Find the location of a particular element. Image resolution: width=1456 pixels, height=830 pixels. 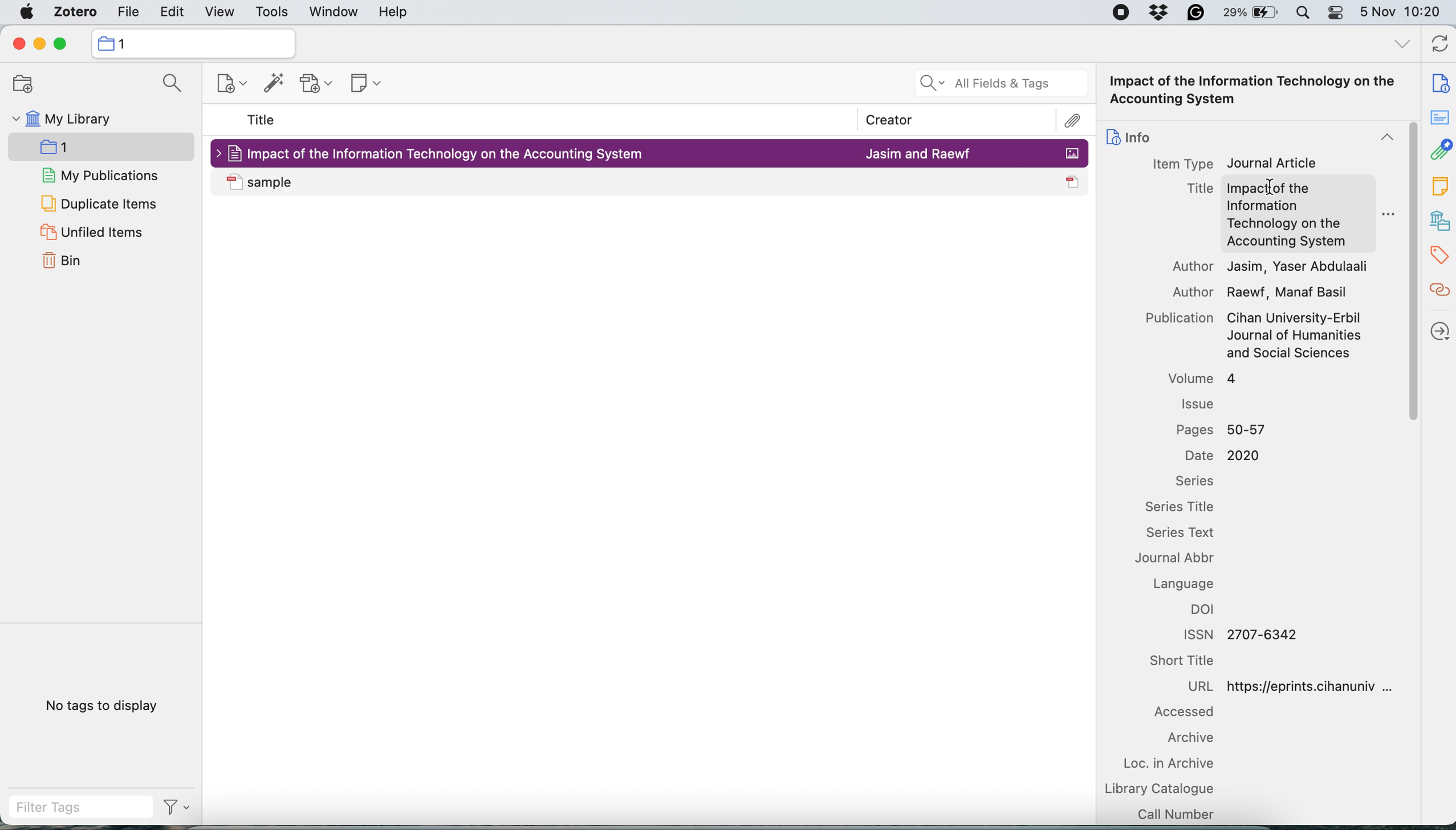

attachment is located at coordinates (1072, 121).